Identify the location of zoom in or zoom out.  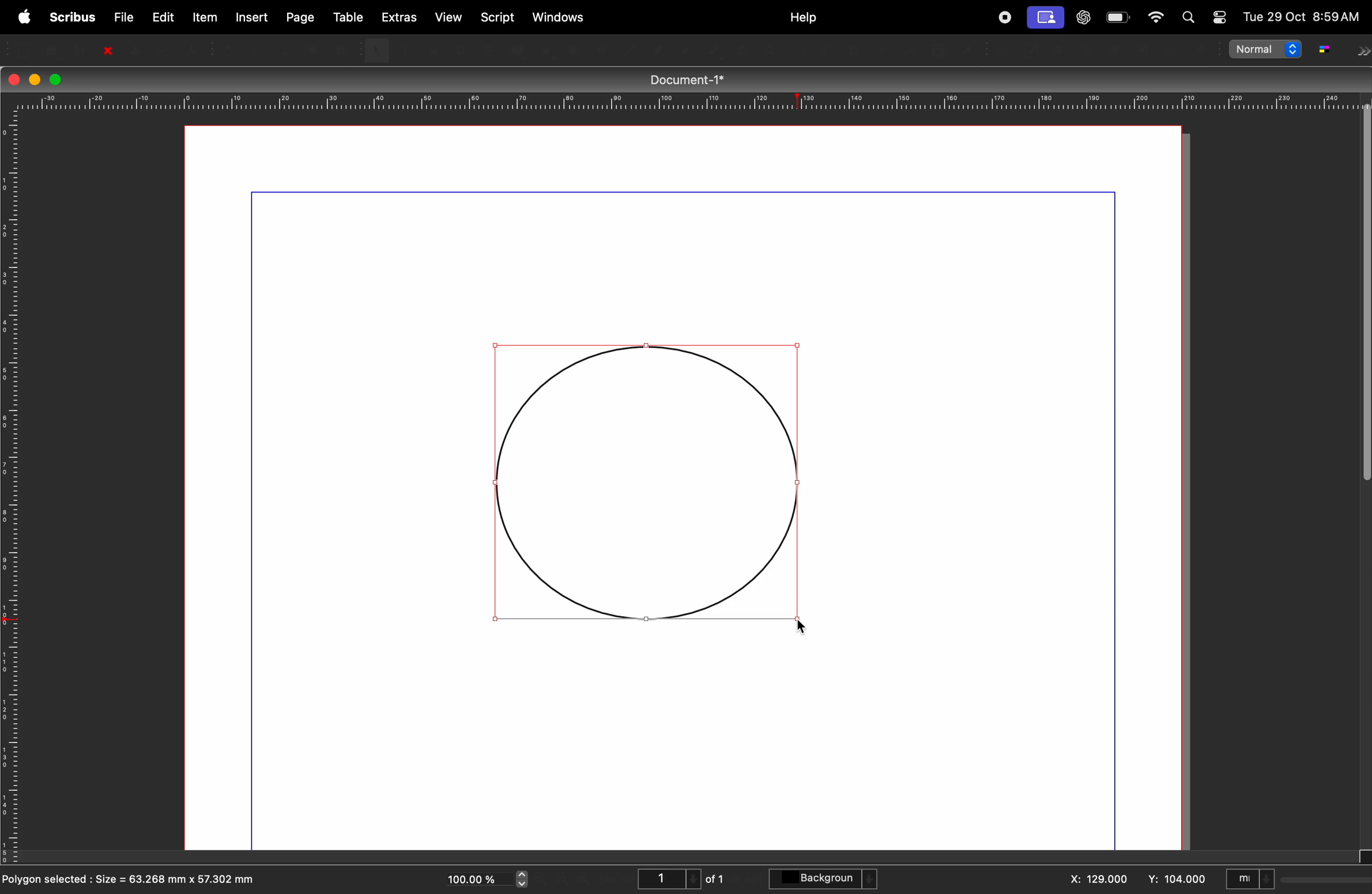
(771, 51).